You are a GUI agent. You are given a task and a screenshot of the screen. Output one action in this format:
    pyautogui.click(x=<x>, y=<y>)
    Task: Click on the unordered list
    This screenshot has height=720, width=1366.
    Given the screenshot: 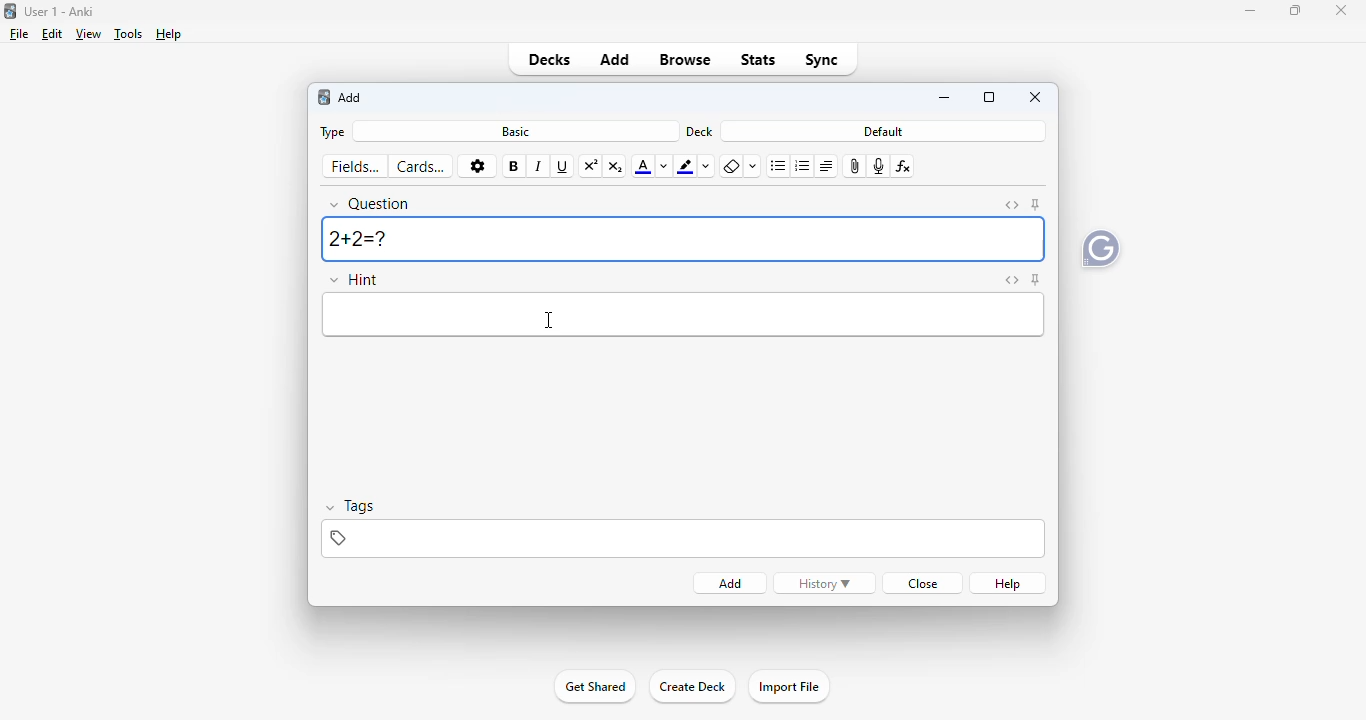 What is the action you would take?
    pyautogui.click(x=778, y=167)
    